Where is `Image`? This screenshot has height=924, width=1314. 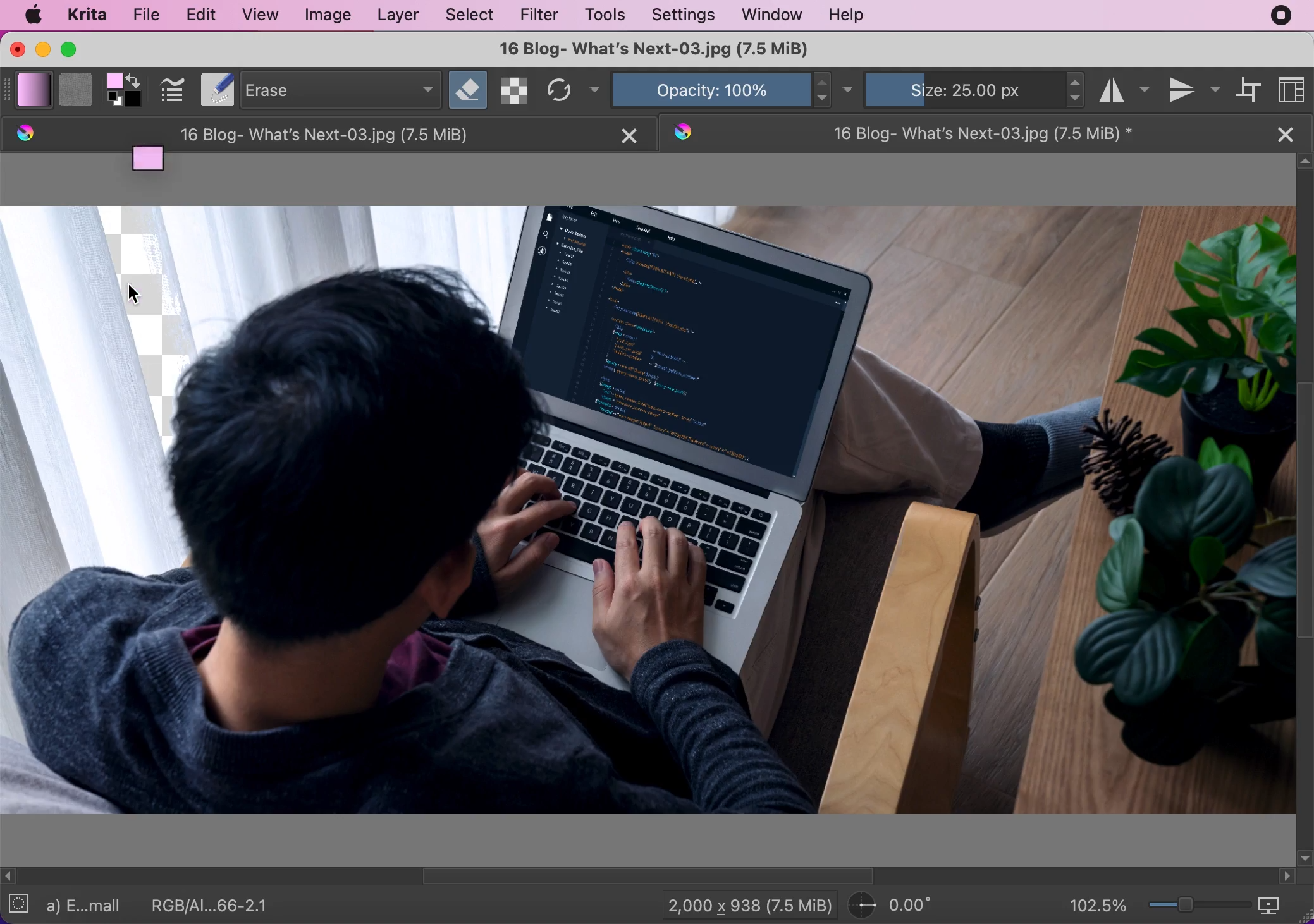
Image is located at coordinates (648, 511).